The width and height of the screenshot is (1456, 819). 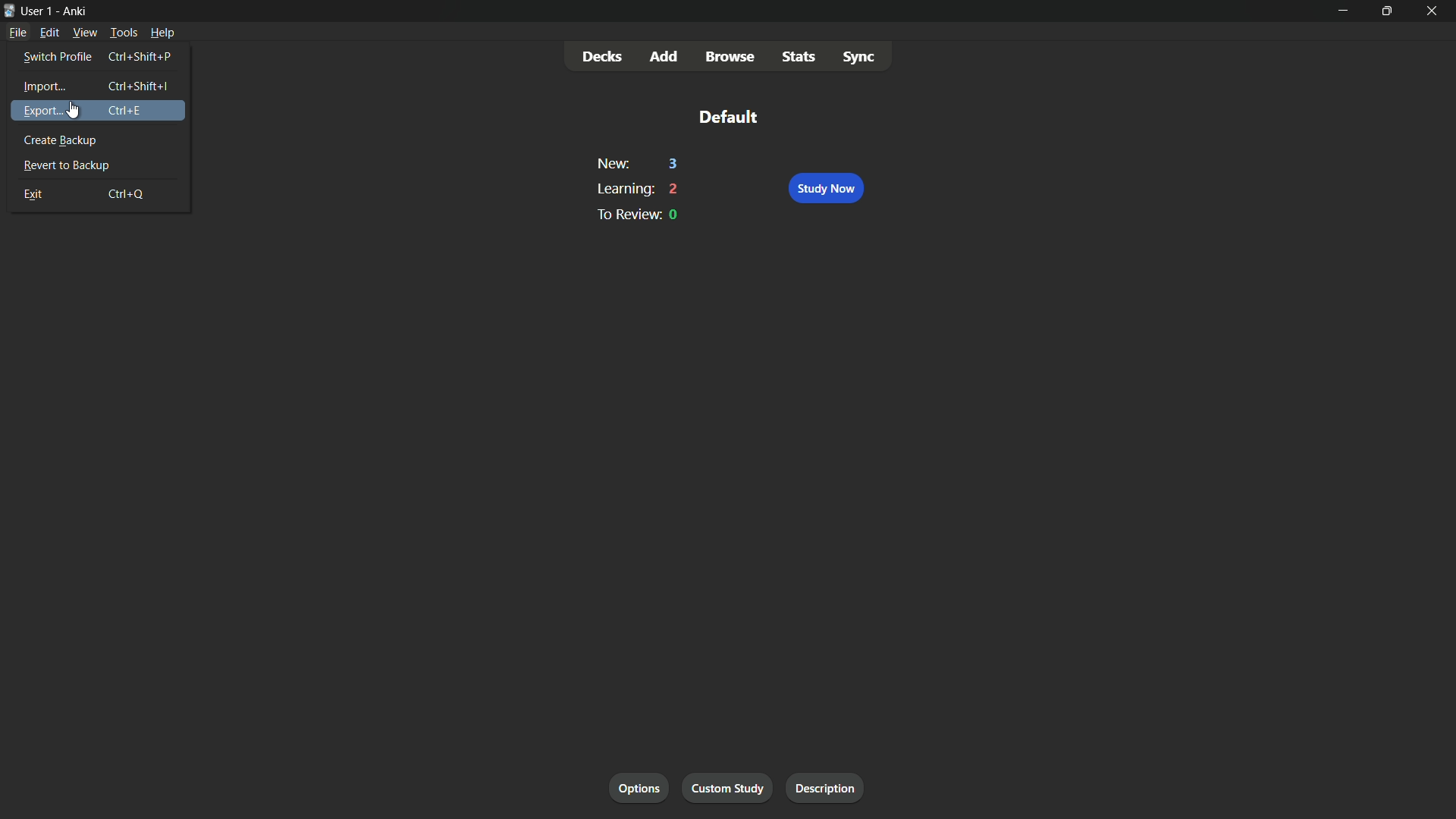 I want to click on help menu, so click(x=162, y=32).